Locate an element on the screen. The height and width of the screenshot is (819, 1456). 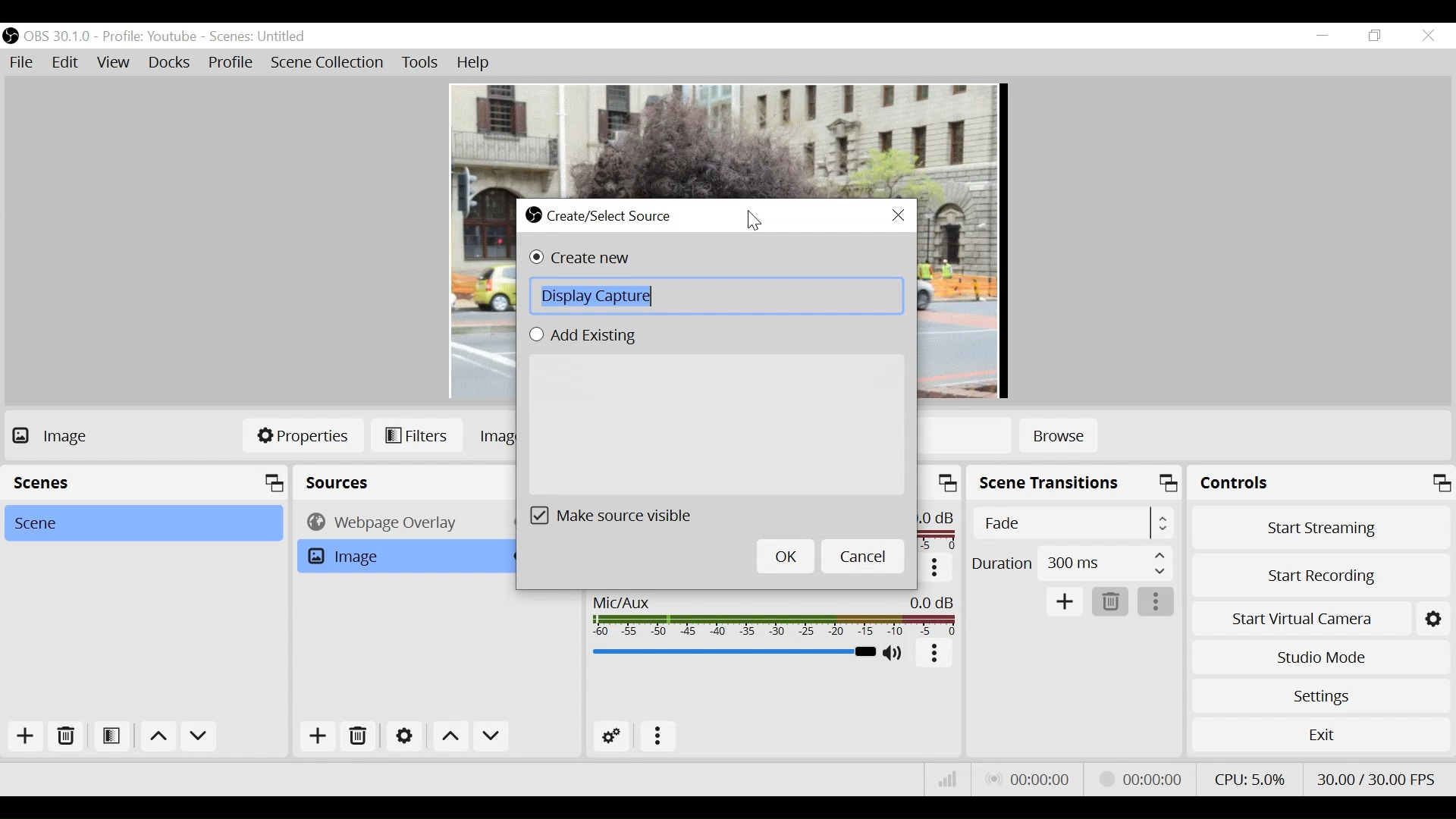
Add Existing Field is located at coordinates (716, 422).